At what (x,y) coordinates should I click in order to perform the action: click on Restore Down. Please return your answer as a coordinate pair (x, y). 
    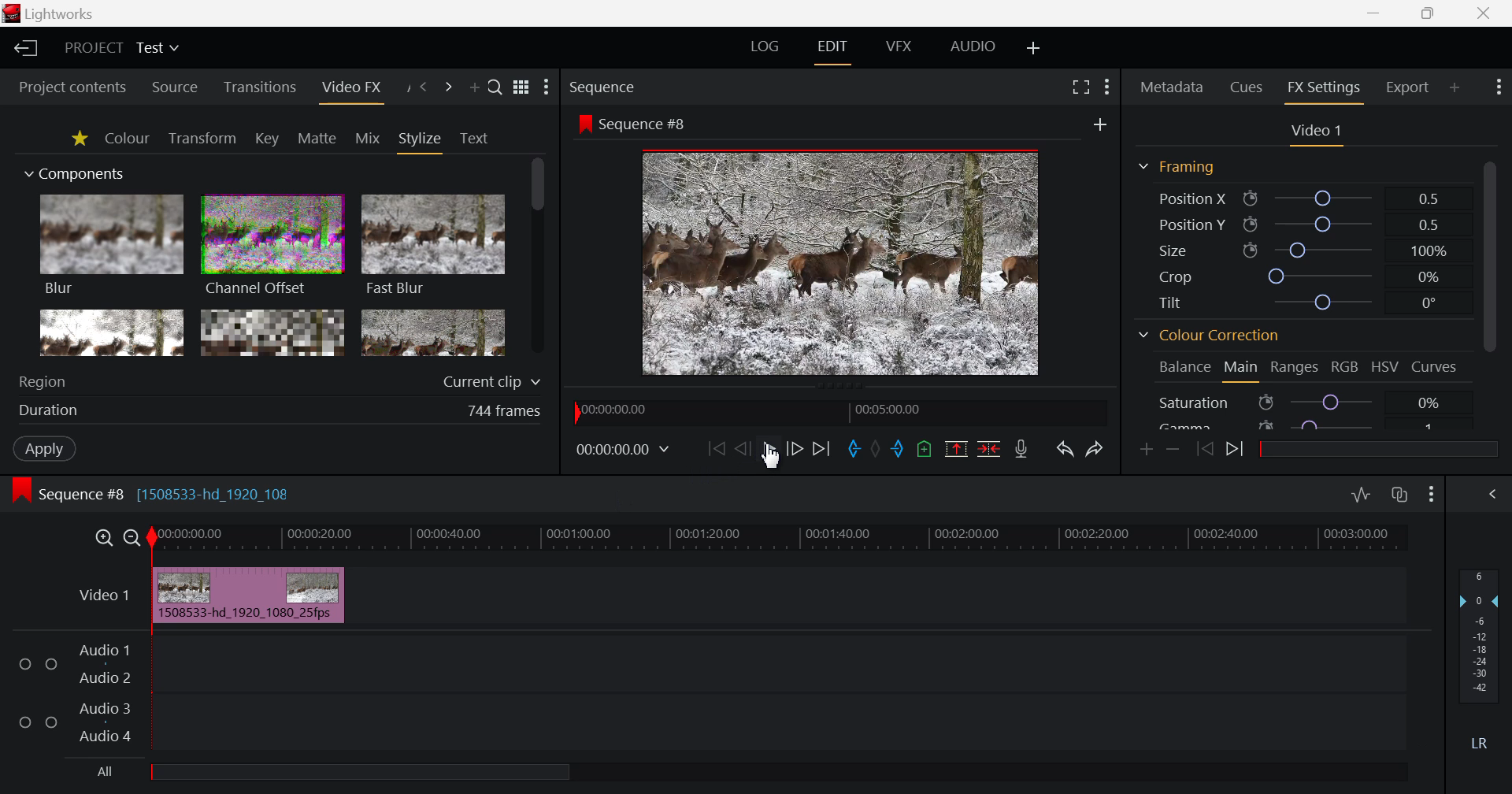
    Looking at the image, I should click on (1376, 13).